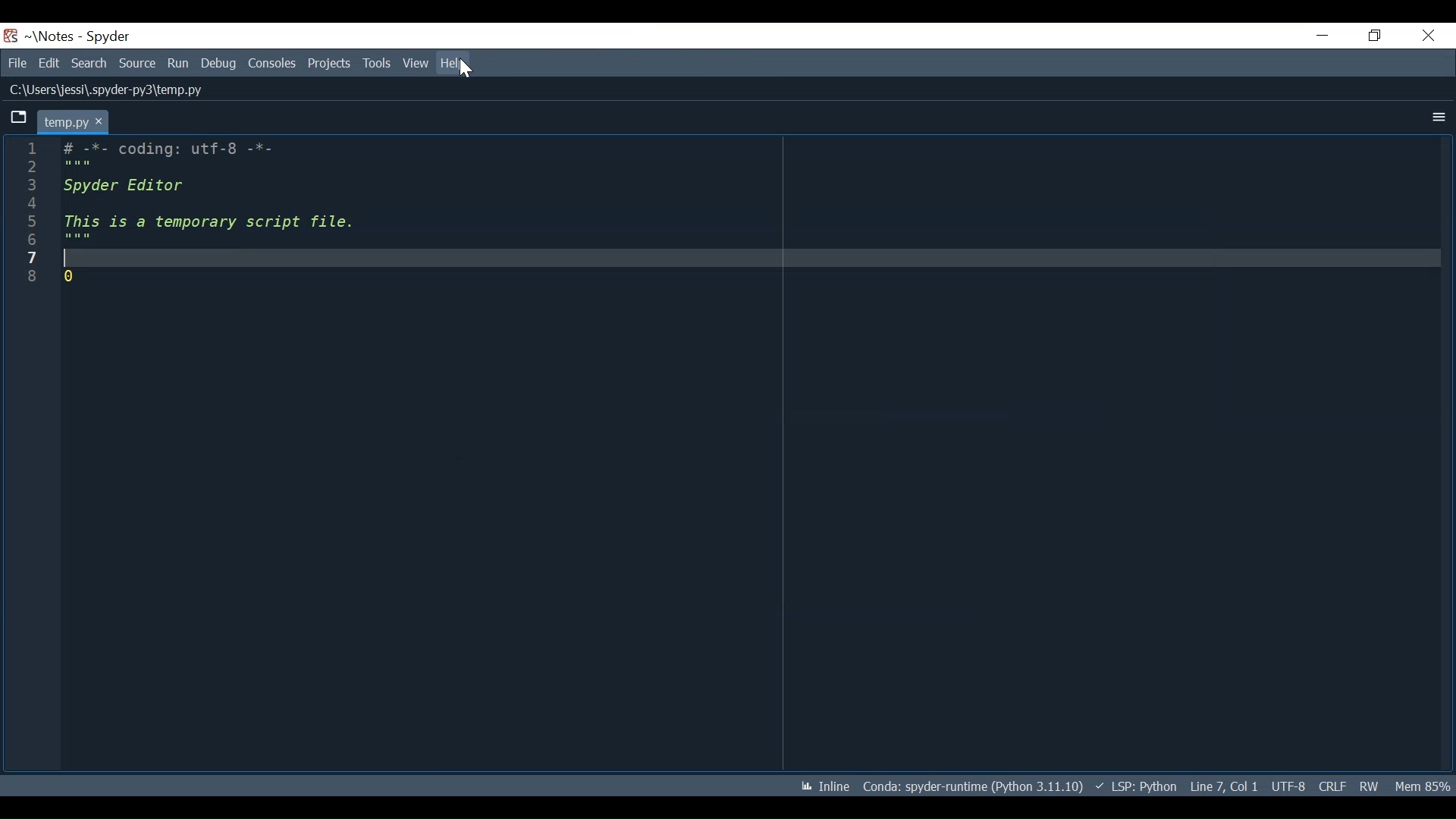 Image resolution: width=1456 pixels, height=819 pixels. I want to click on line number, so click(31, 212).